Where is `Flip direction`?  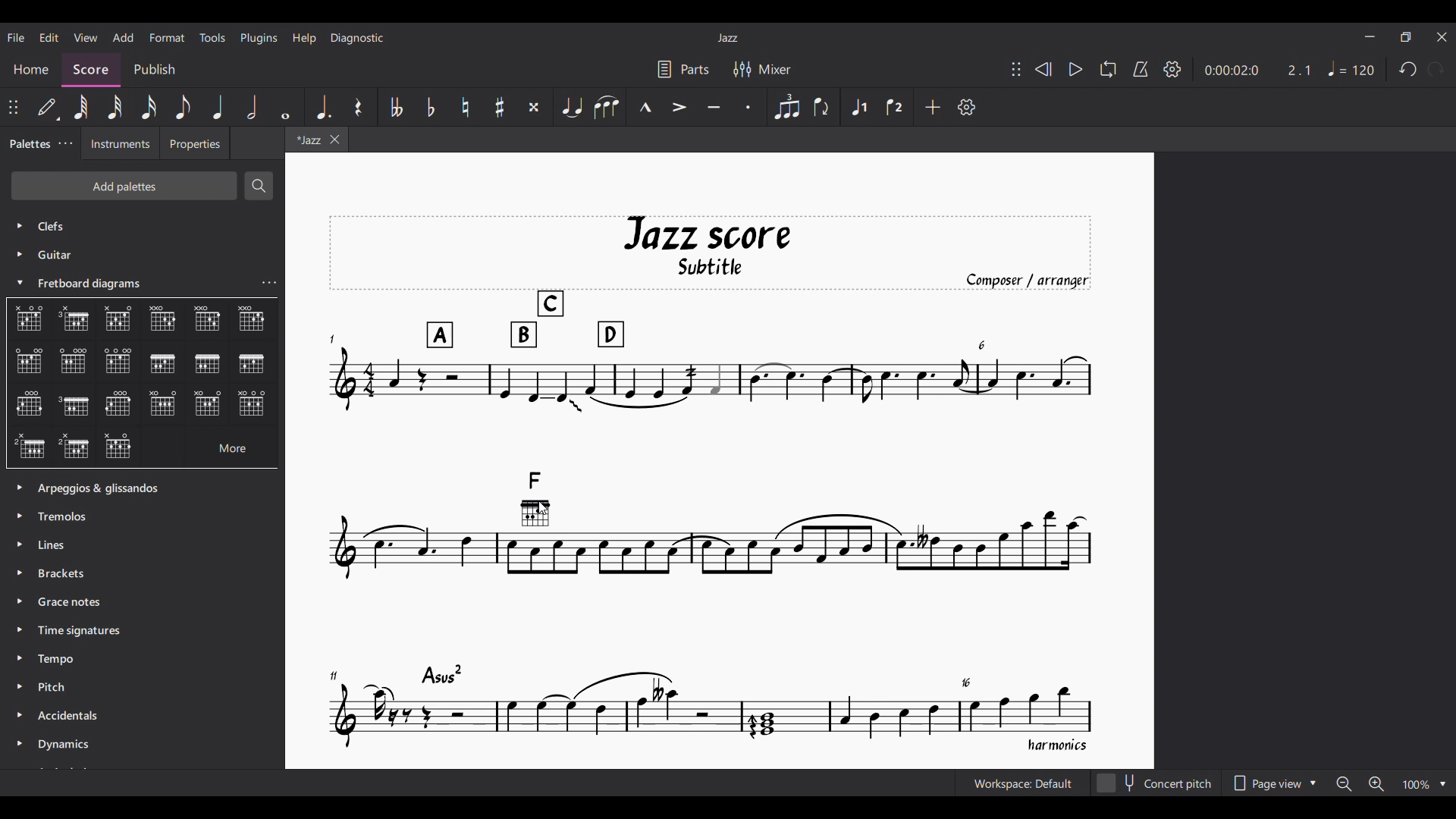 Flip direction is located at coordinates (821, 106).